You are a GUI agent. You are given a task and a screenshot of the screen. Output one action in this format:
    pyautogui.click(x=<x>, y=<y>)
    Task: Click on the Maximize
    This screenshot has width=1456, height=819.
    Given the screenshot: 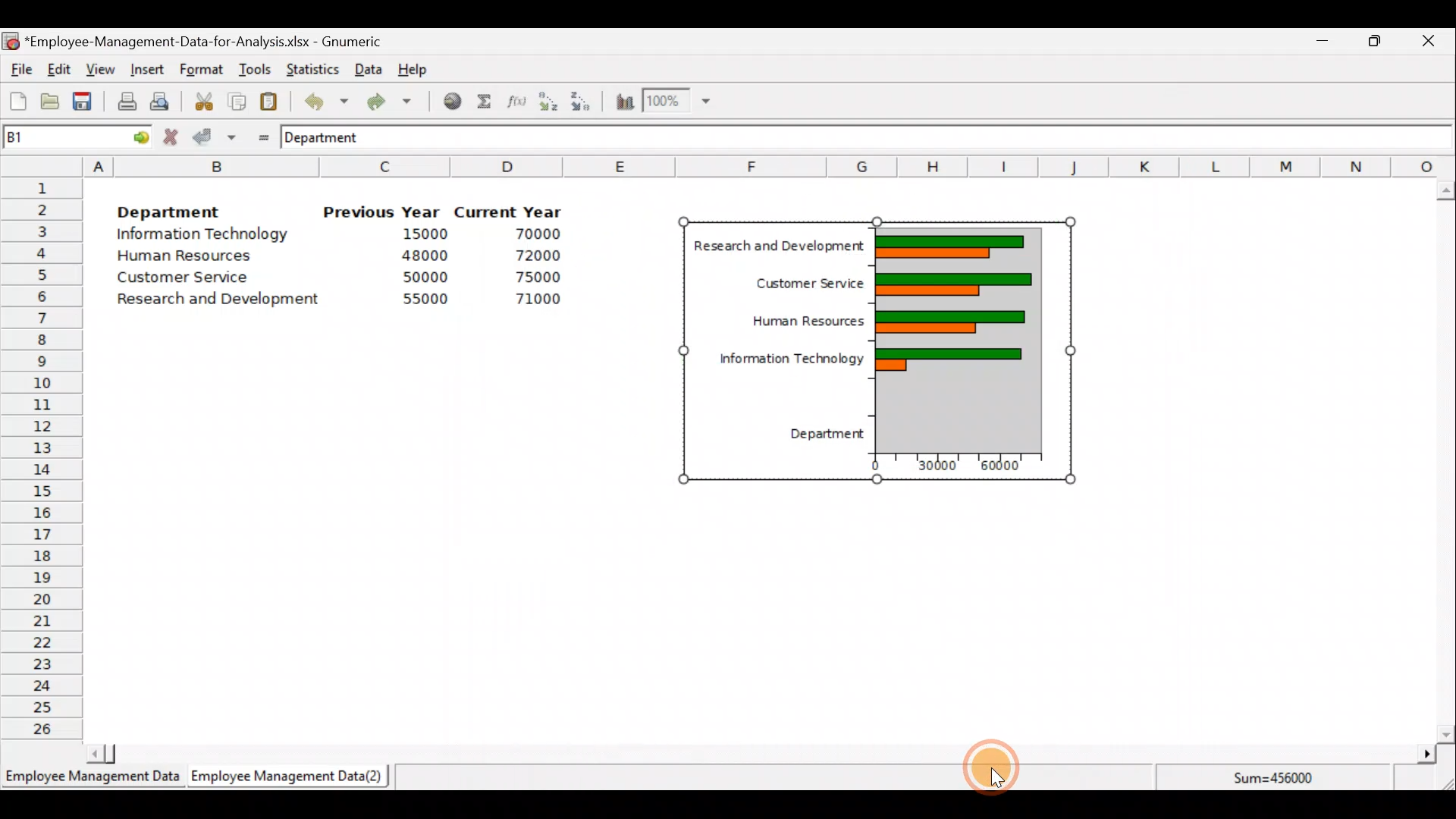 What is the action you would take?
    pyautogui.click(x=1375, y=40)
    